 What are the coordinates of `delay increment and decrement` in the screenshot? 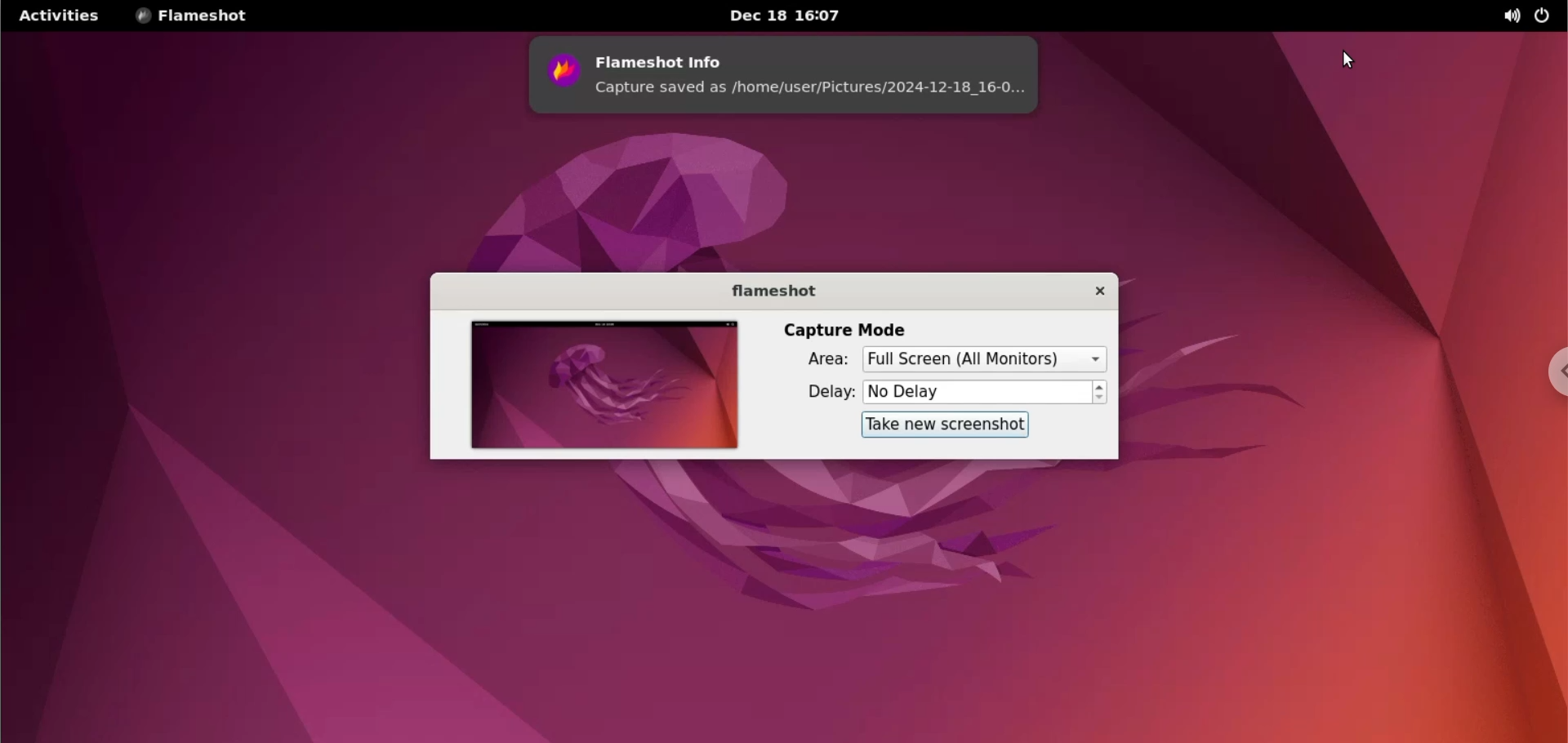 It's located at (1098, 393).